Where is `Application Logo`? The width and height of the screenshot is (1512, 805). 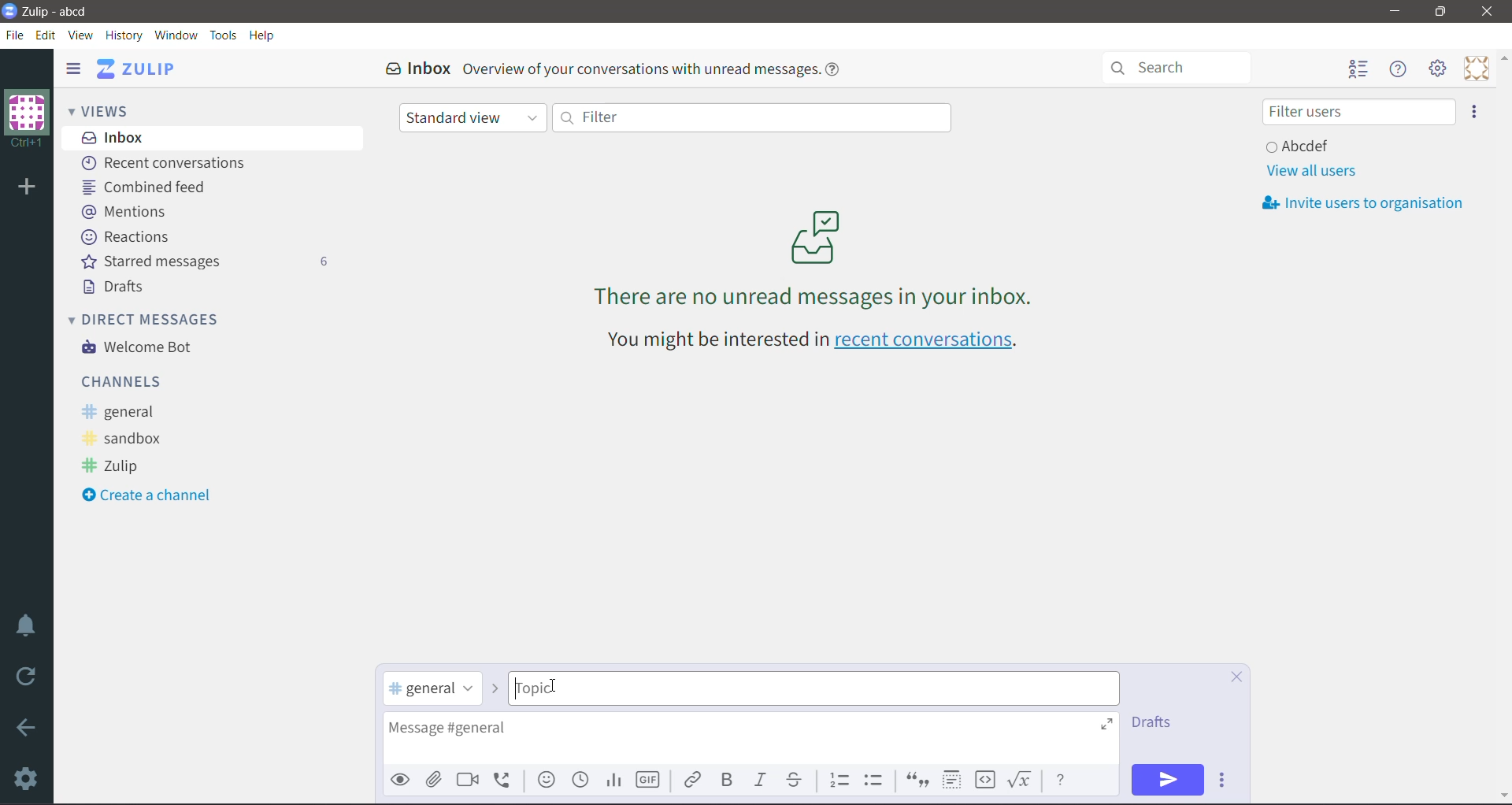 Application Logo is located at coordinates (9, 9).